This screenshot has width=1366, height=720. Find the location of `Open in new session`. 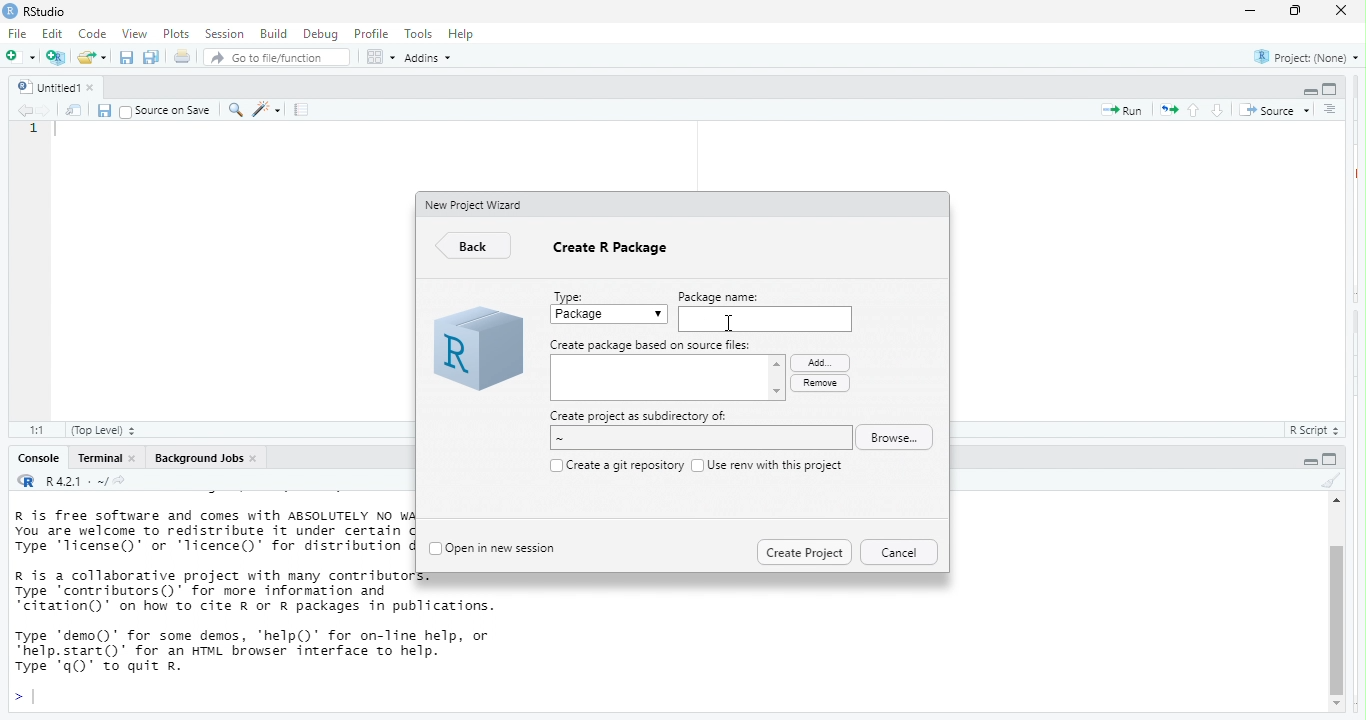

Open in new session is located at coordinates (505, 546).